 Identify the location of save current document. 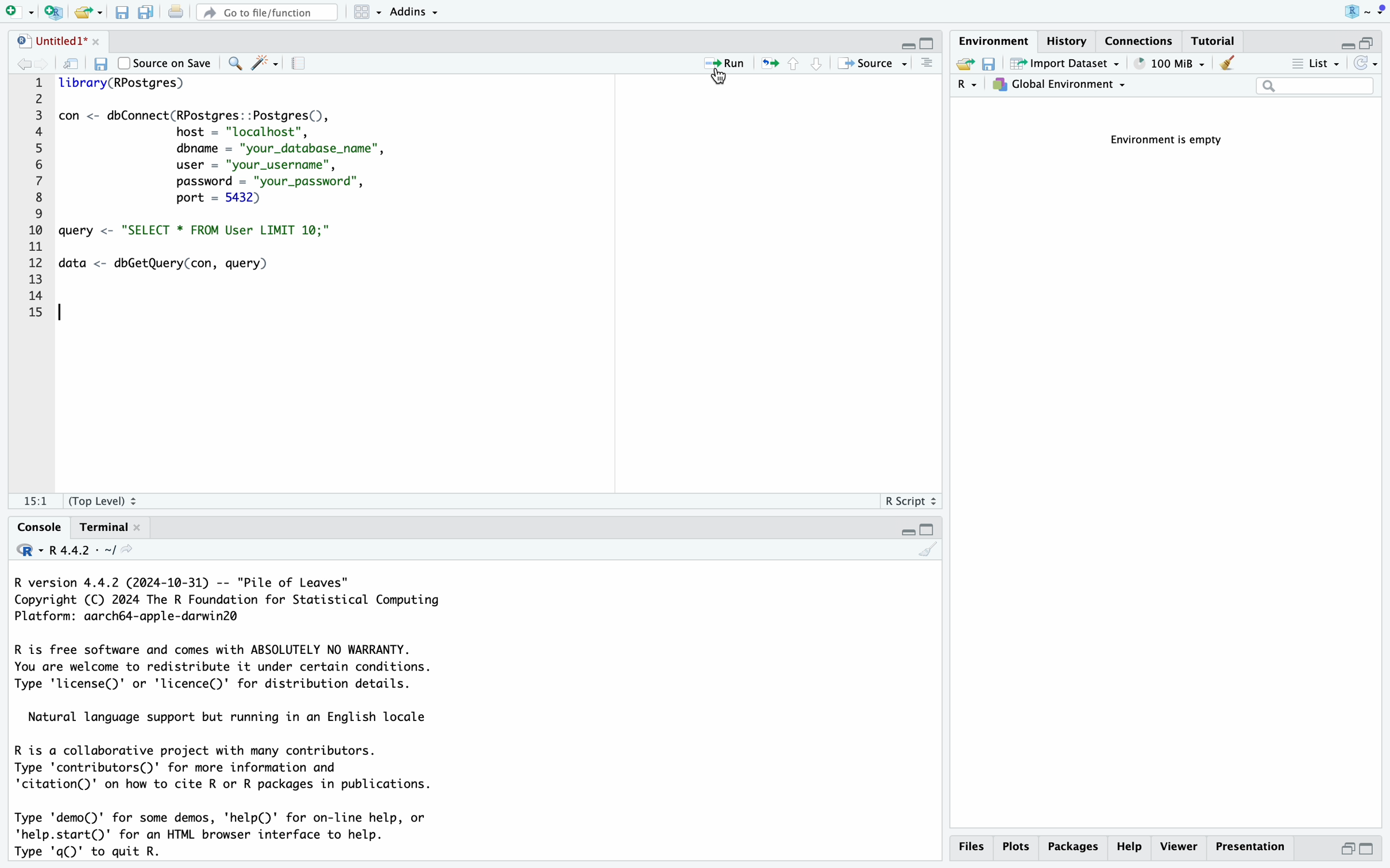
(123, 12).